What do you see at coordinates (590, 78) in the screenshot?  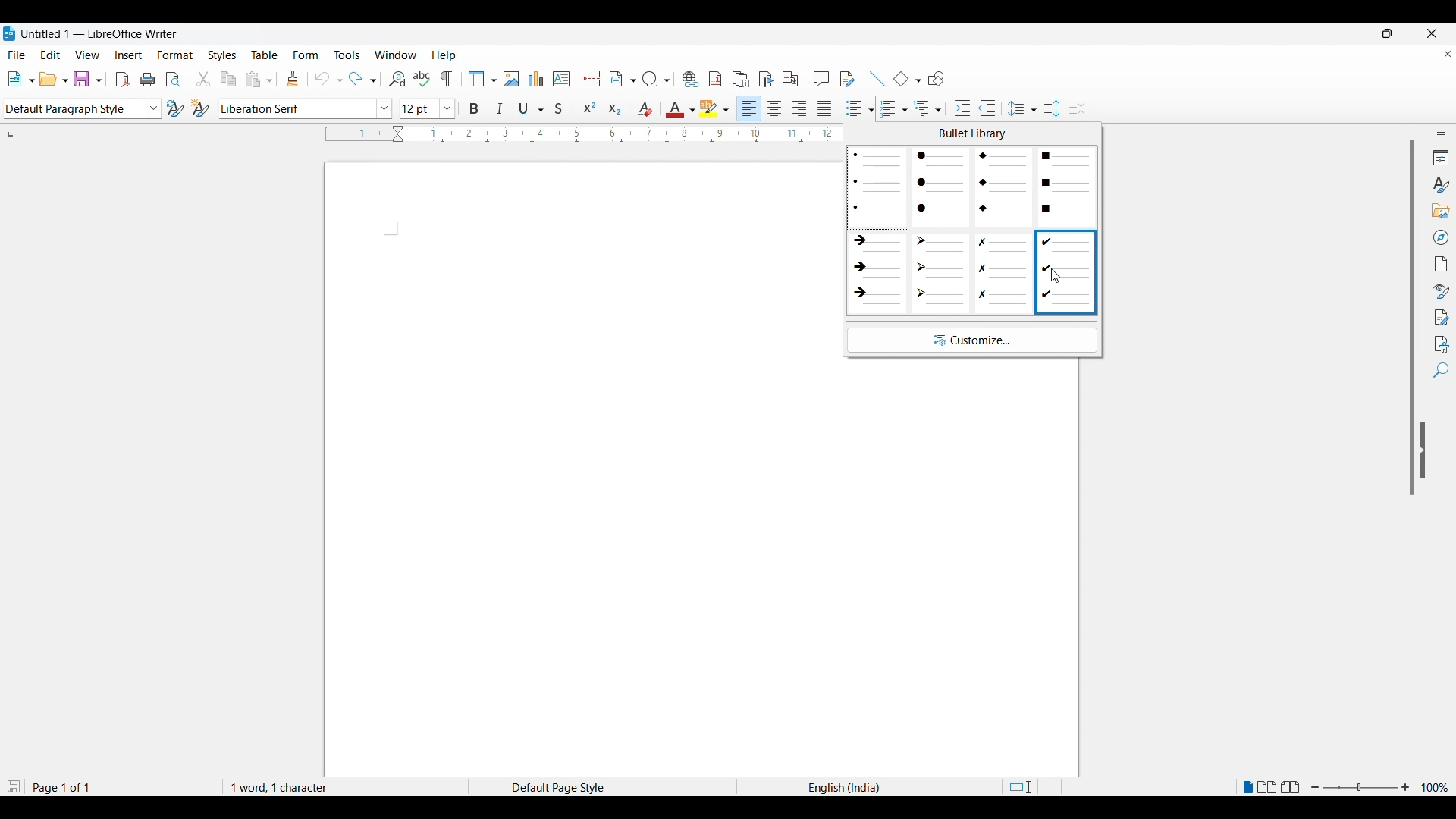 I see `insert page break` at bounding box center [590, 78].